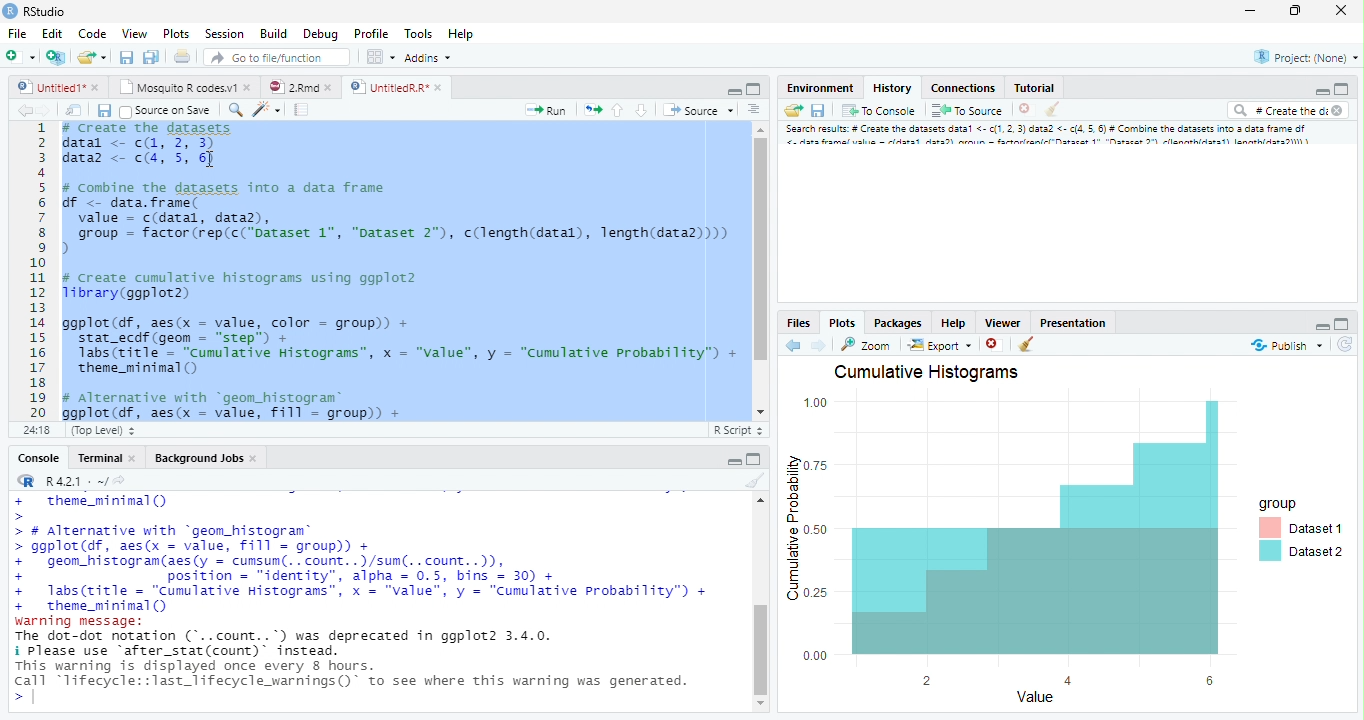 The width and height of the screenshot is (1364, 720). I want to click on Clear console, so click(1029, 346).